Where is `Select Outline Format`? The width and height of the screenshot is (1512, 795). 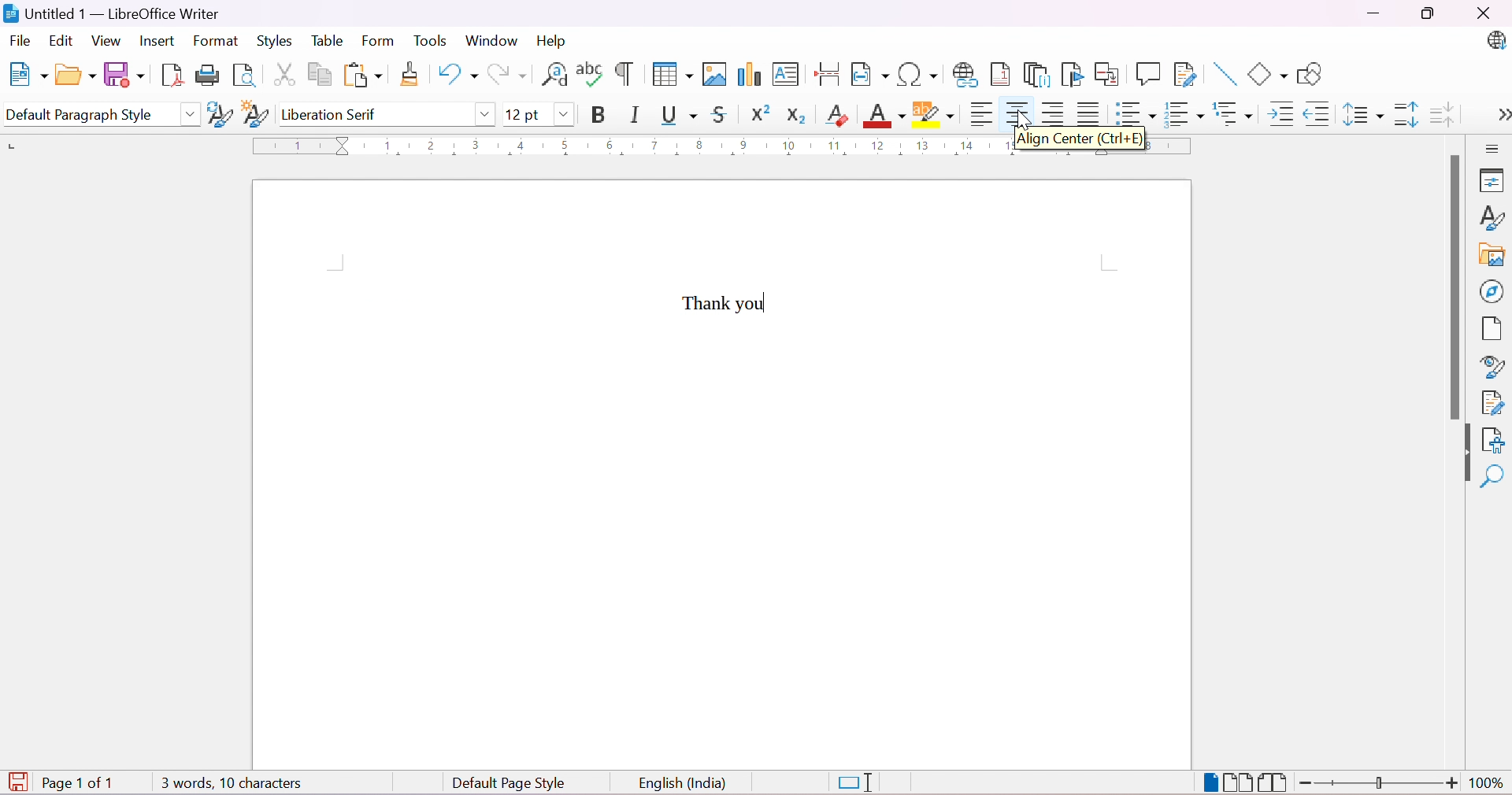
Select Outline Format is located at coordinates (1231, 113).